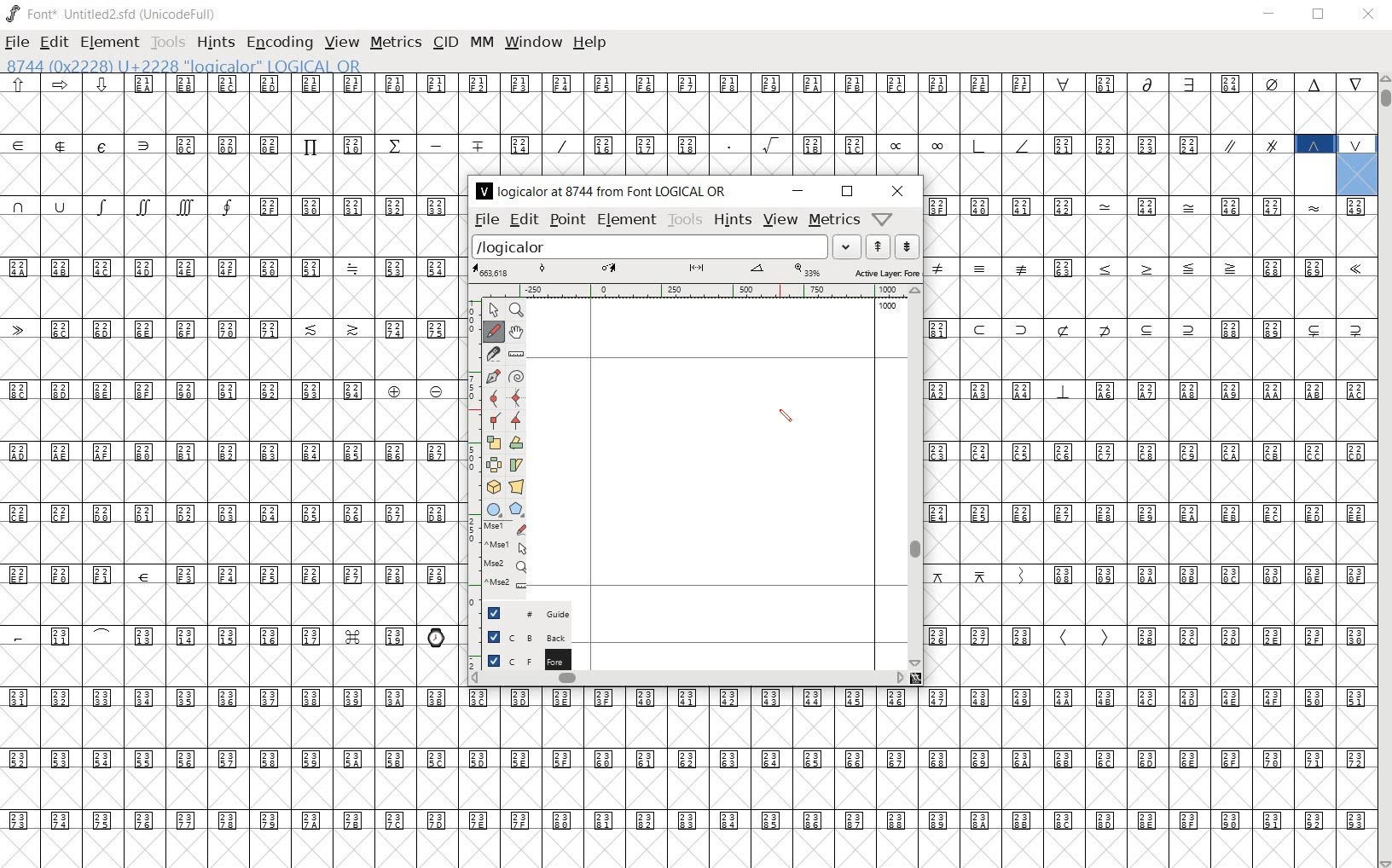  Describe the element at coordinates (1319, 17) in the screenshot. I see `restore` at that location.